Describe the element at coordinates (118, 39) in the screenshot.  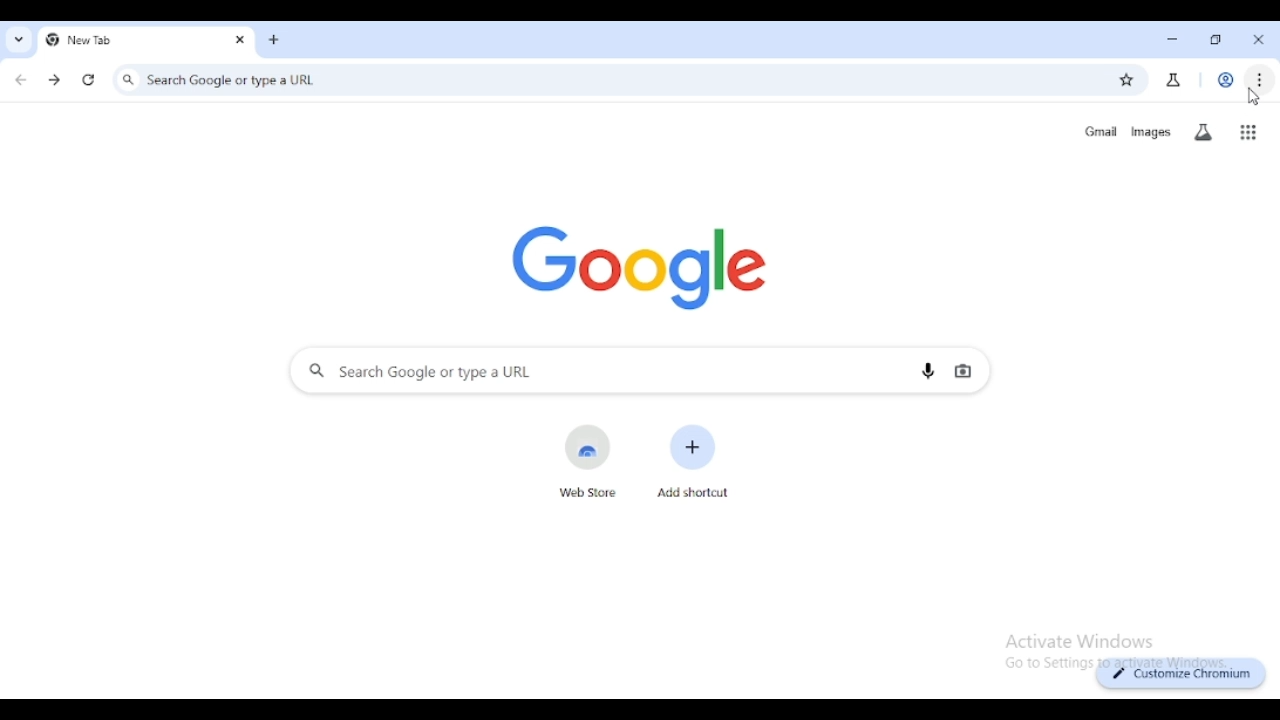
I see `new tab` at that location.